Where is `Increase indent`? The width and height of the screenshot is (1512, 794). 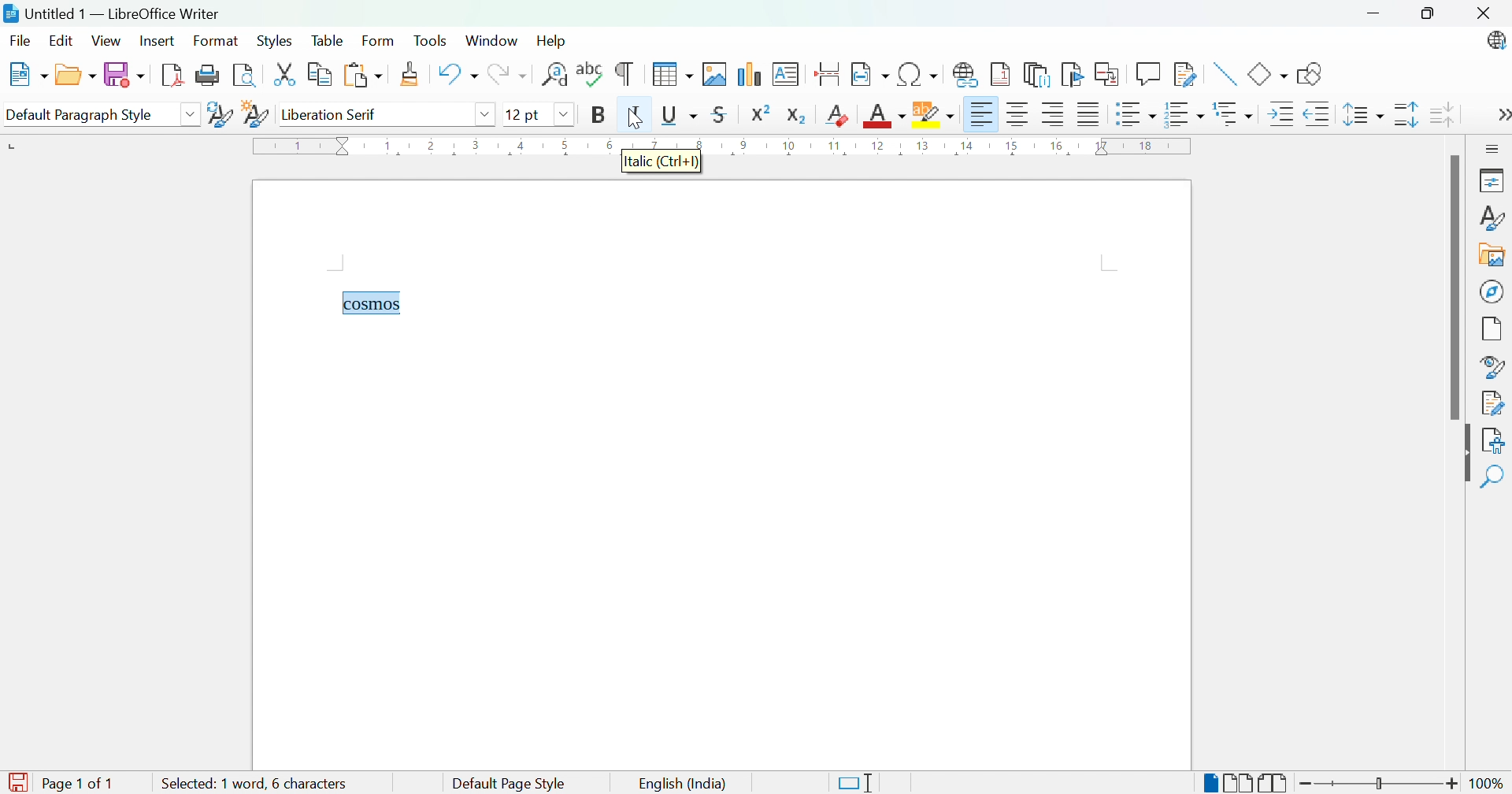
Increase indent is located at coordinates (1280, 115).